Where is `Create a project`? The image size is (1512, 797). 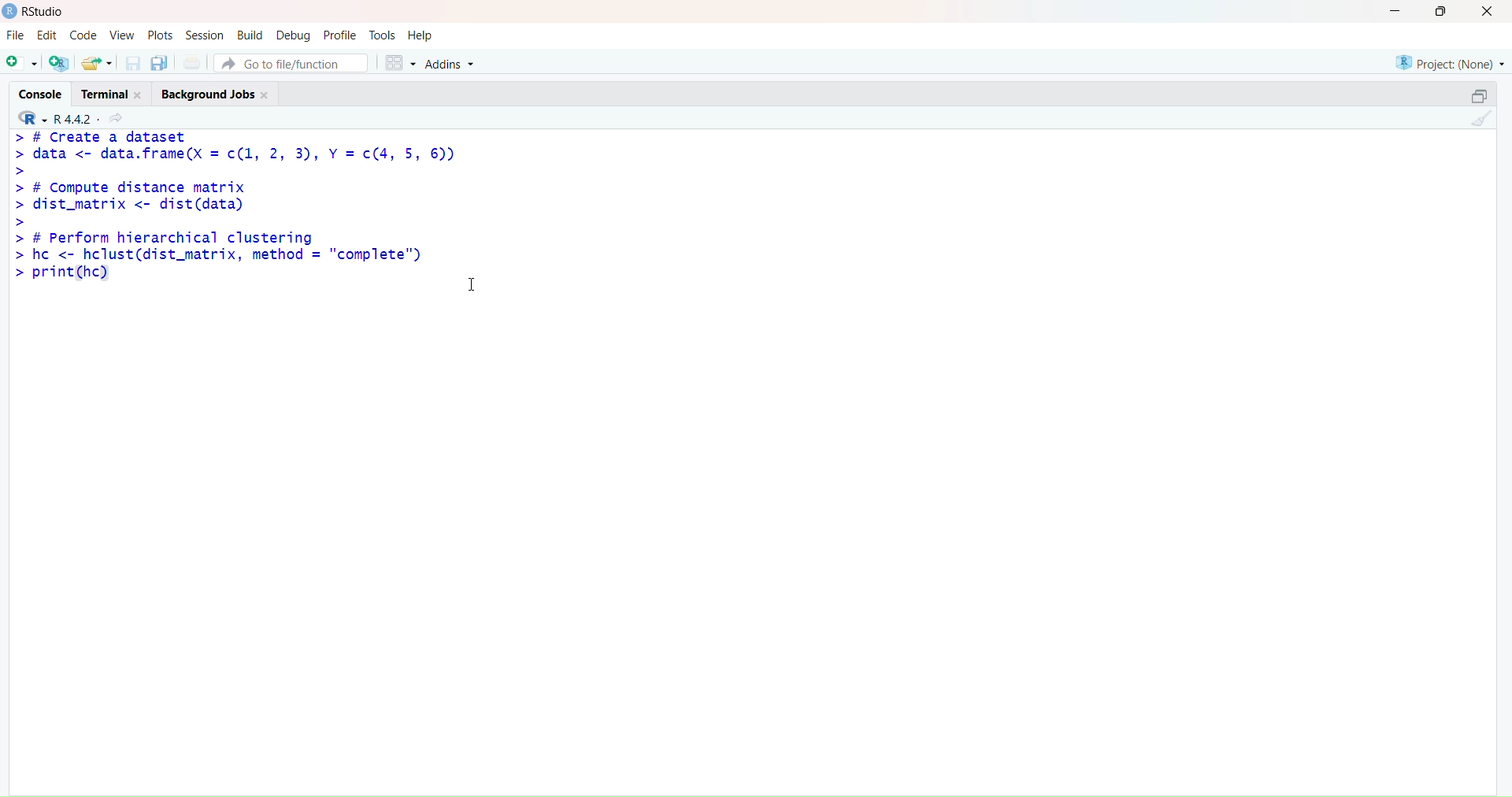 Create a project is located at coordinates (61, 61).